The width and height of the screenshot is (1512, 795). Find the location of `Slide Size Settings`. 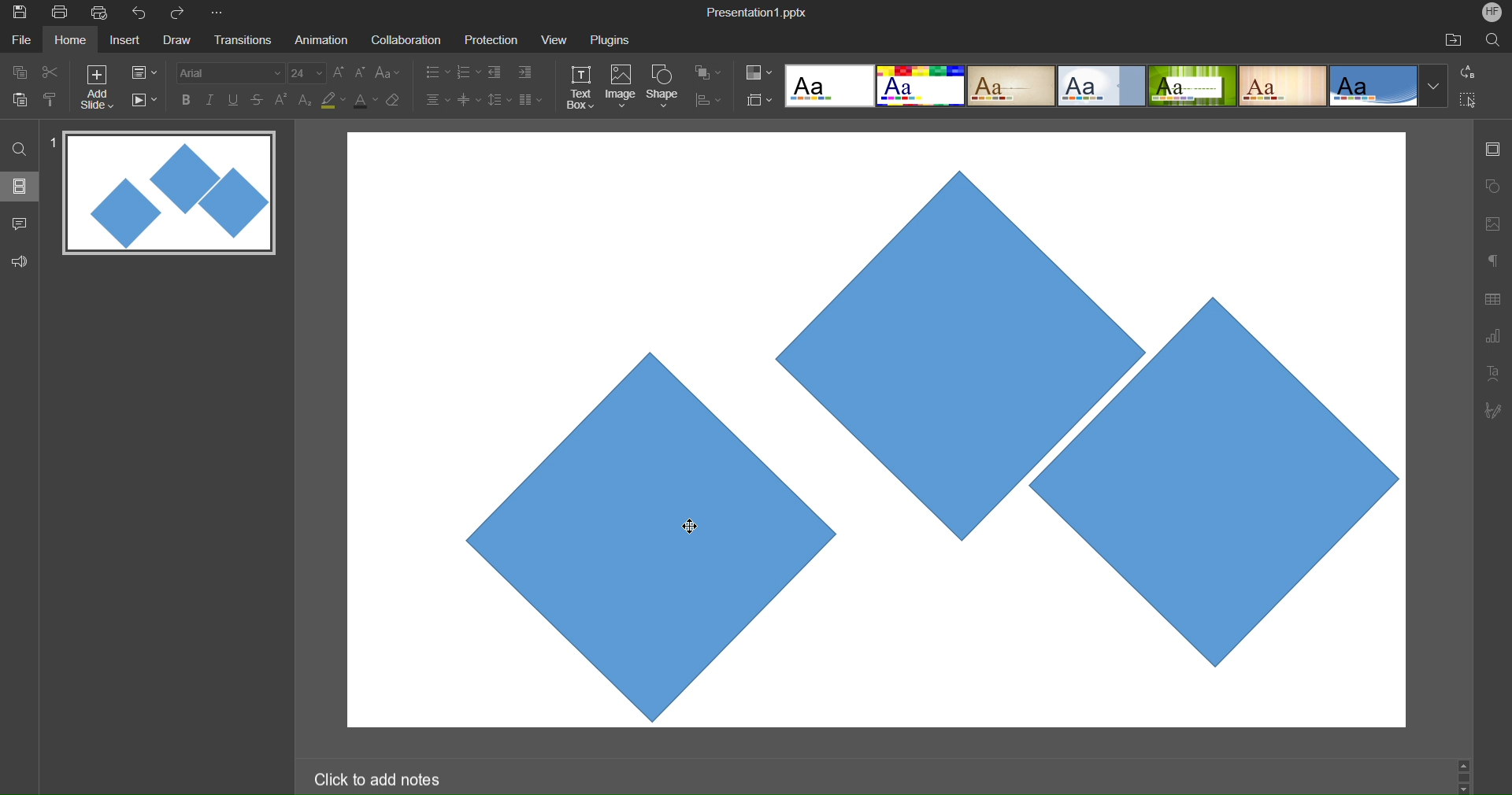

Slide Size Settings is located at coordinates (760, 99).